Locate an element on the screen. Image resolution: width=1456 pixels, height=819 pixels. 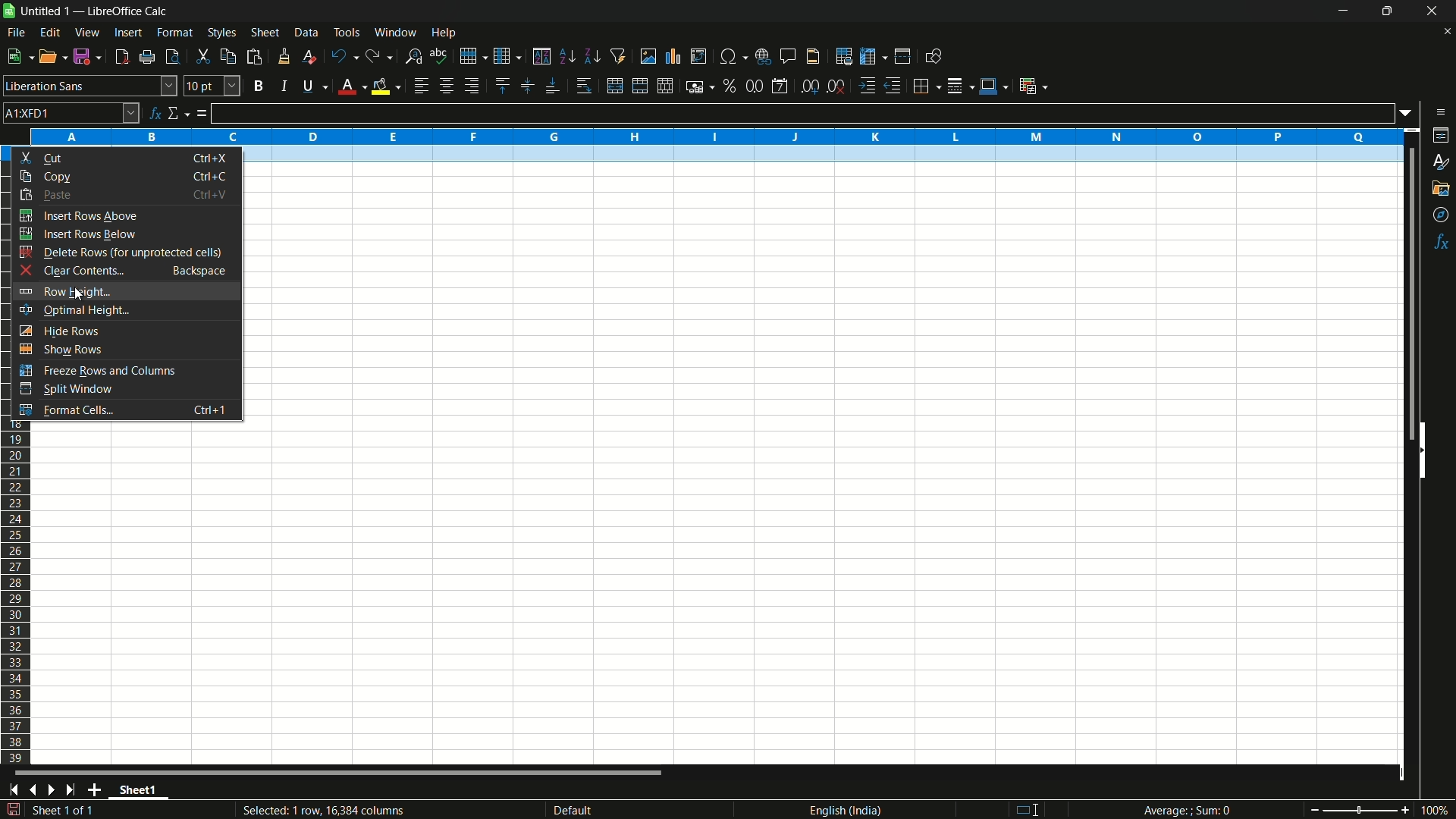
split window is located at coordinates (902, 57).